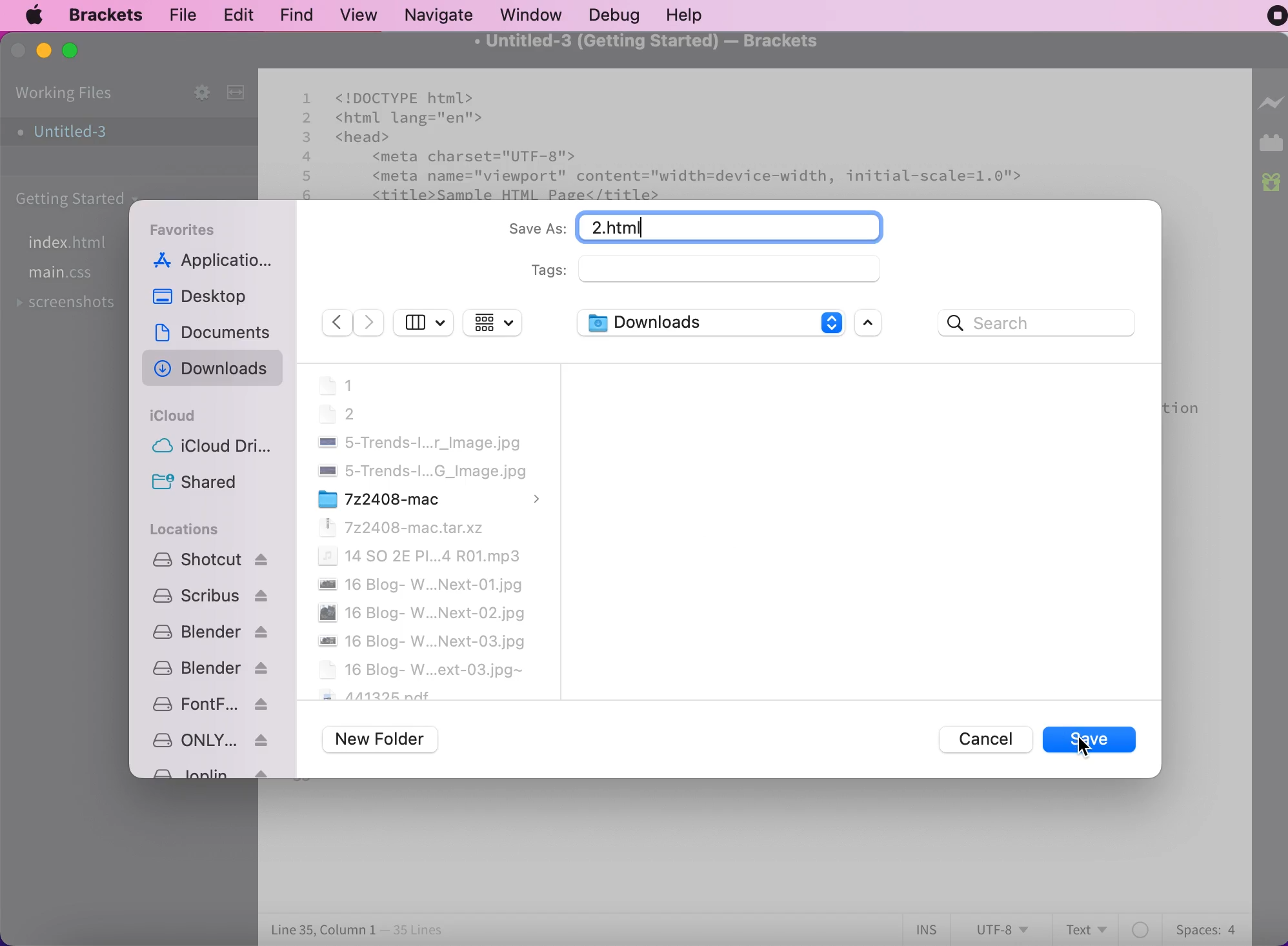 This screenshot has width=1288, height=946. What do you see at coordinates (336, 321) in the screenshot?
I see `previous` at bounding box center [336, 321].